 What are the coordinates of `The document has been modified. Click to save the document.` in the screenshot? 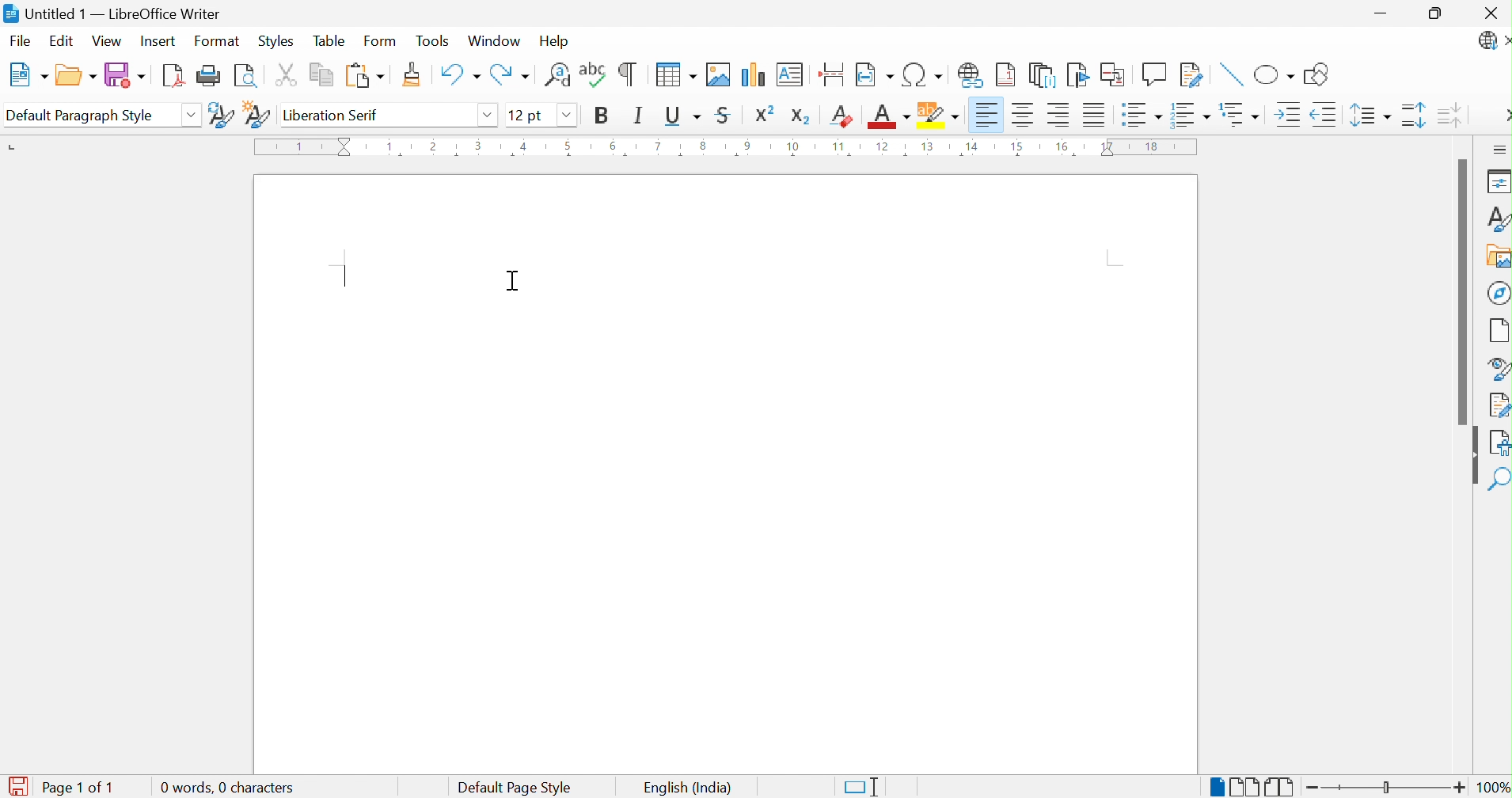 It's located at (17, 785).